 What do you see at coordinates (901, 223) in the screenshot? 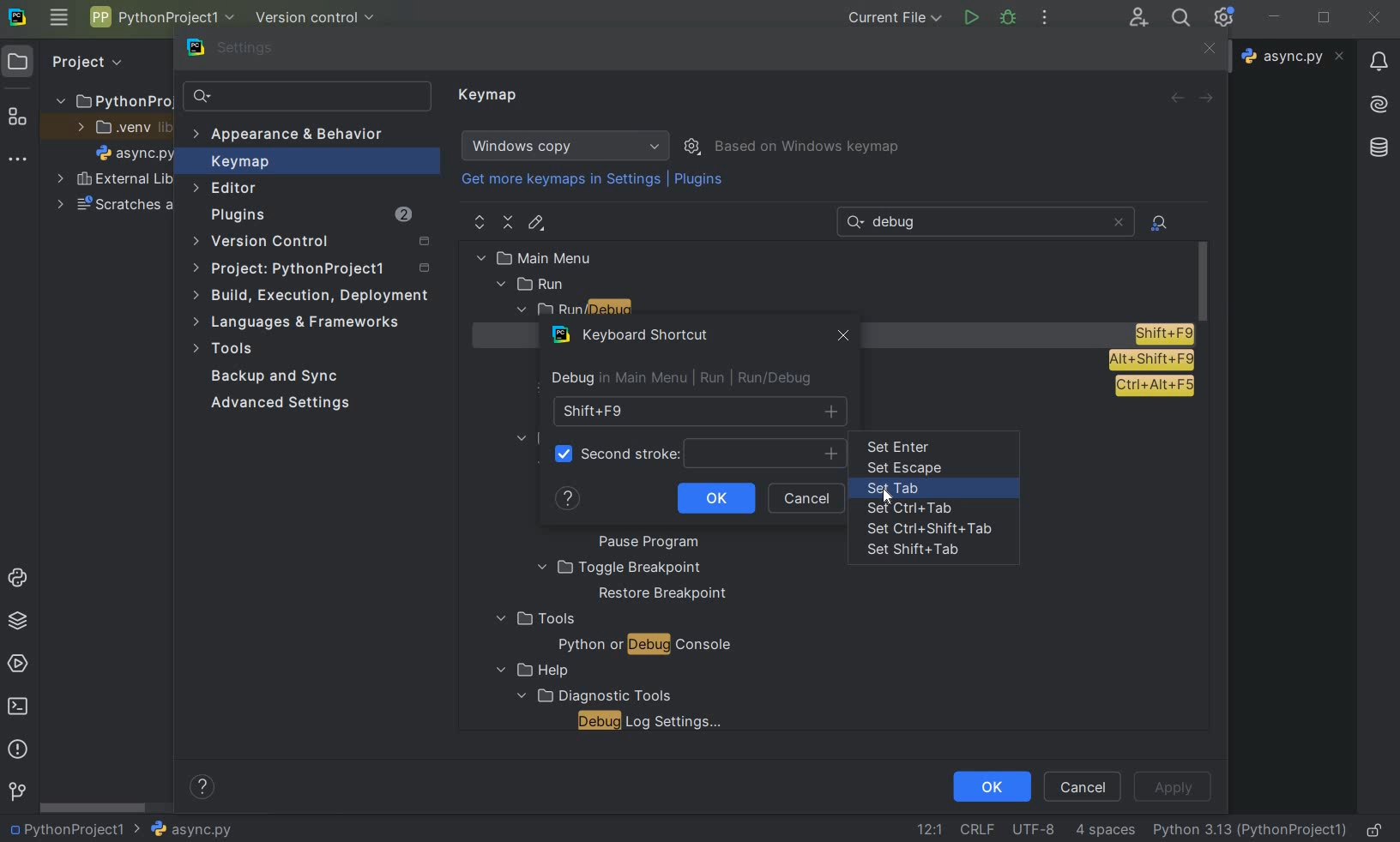
I see `text` at bounding box center [901, 223].